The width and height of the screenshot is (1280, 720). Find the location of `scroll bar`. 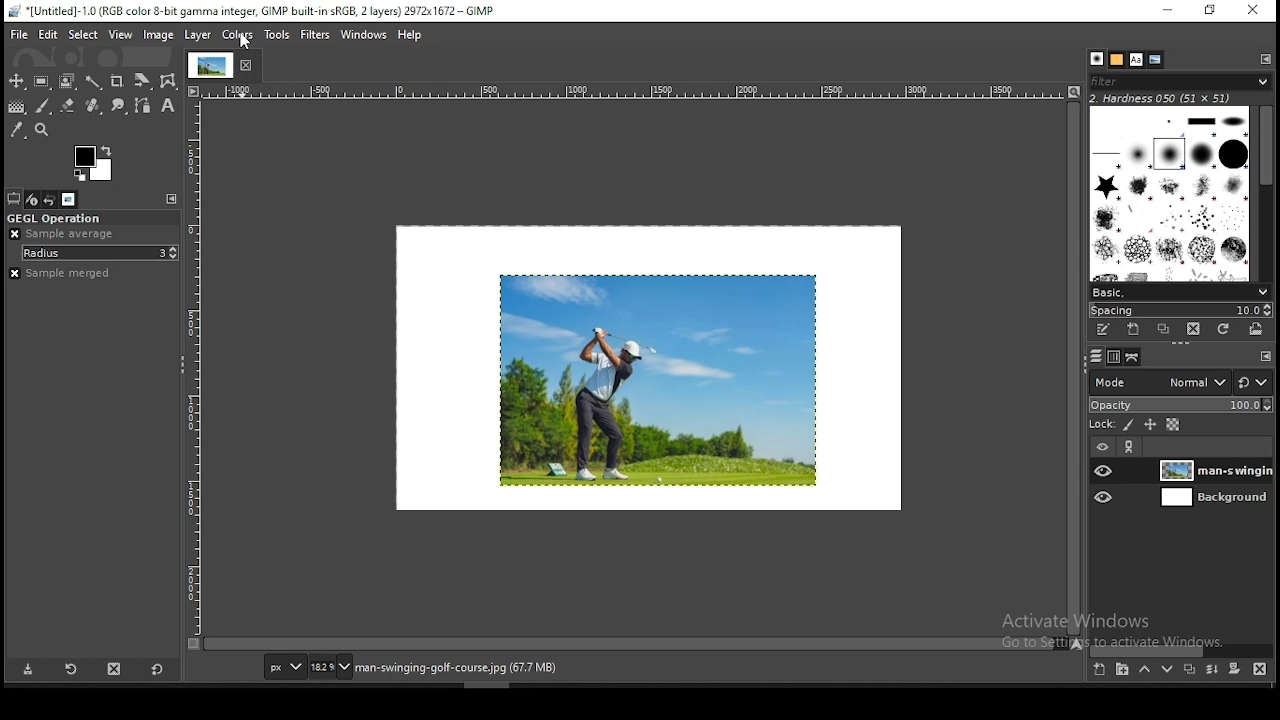

scroll bar is located at coordinates (635, 644).